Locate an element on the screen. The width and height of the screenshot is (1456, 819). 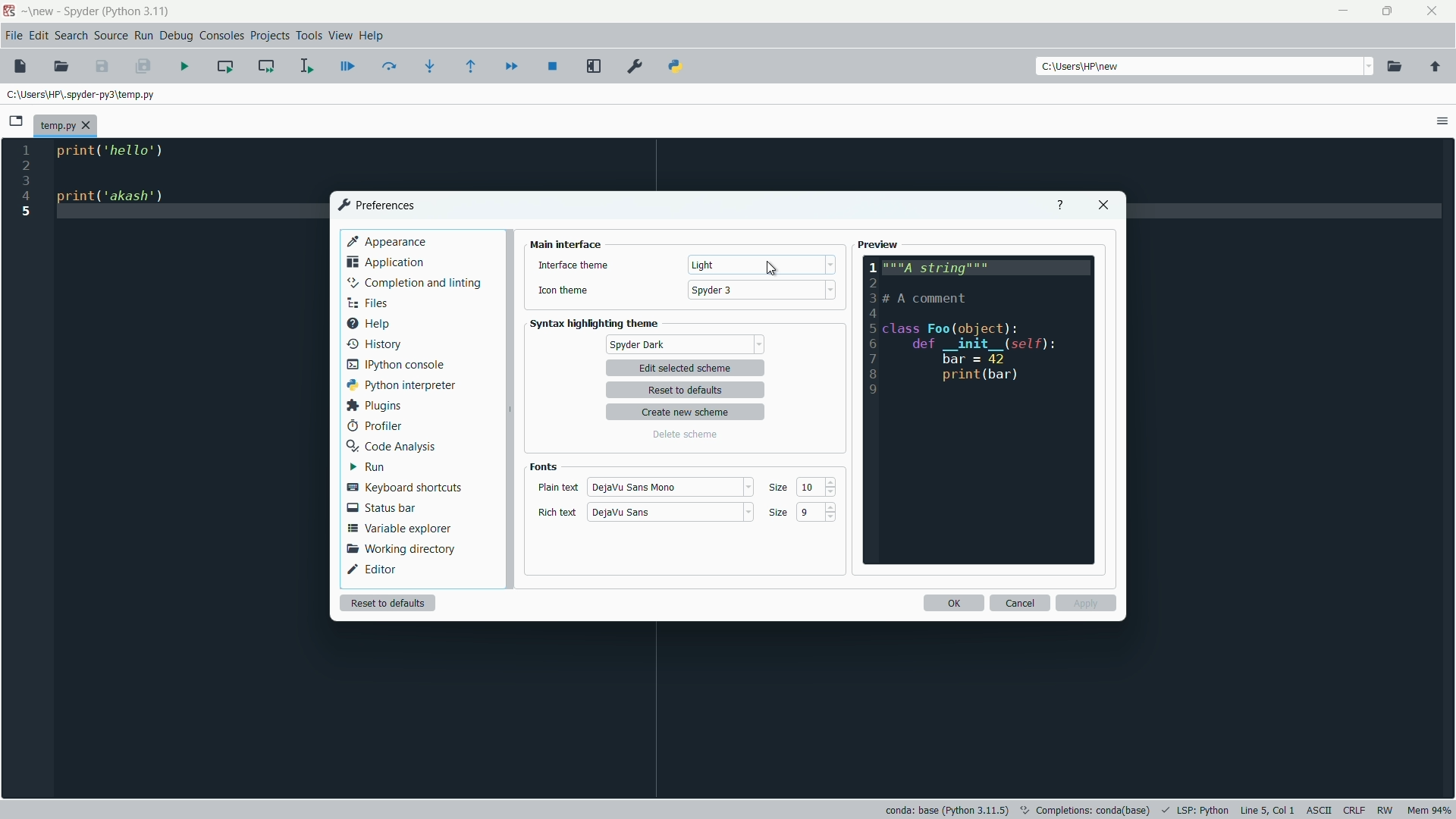
reset to defaults is located at coordinates (387, 602).